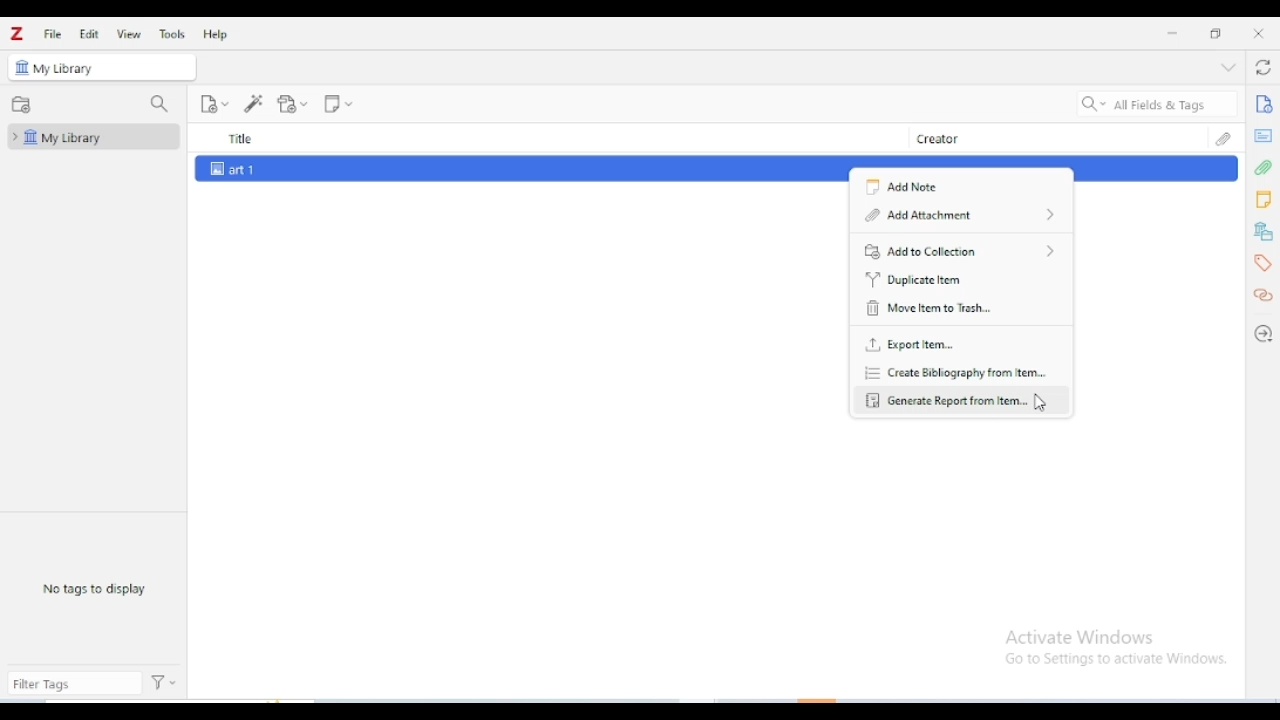  What do you see at coordinates (64, 69) in the screenshot?
I see `my library` at bounding box center [64, 69].